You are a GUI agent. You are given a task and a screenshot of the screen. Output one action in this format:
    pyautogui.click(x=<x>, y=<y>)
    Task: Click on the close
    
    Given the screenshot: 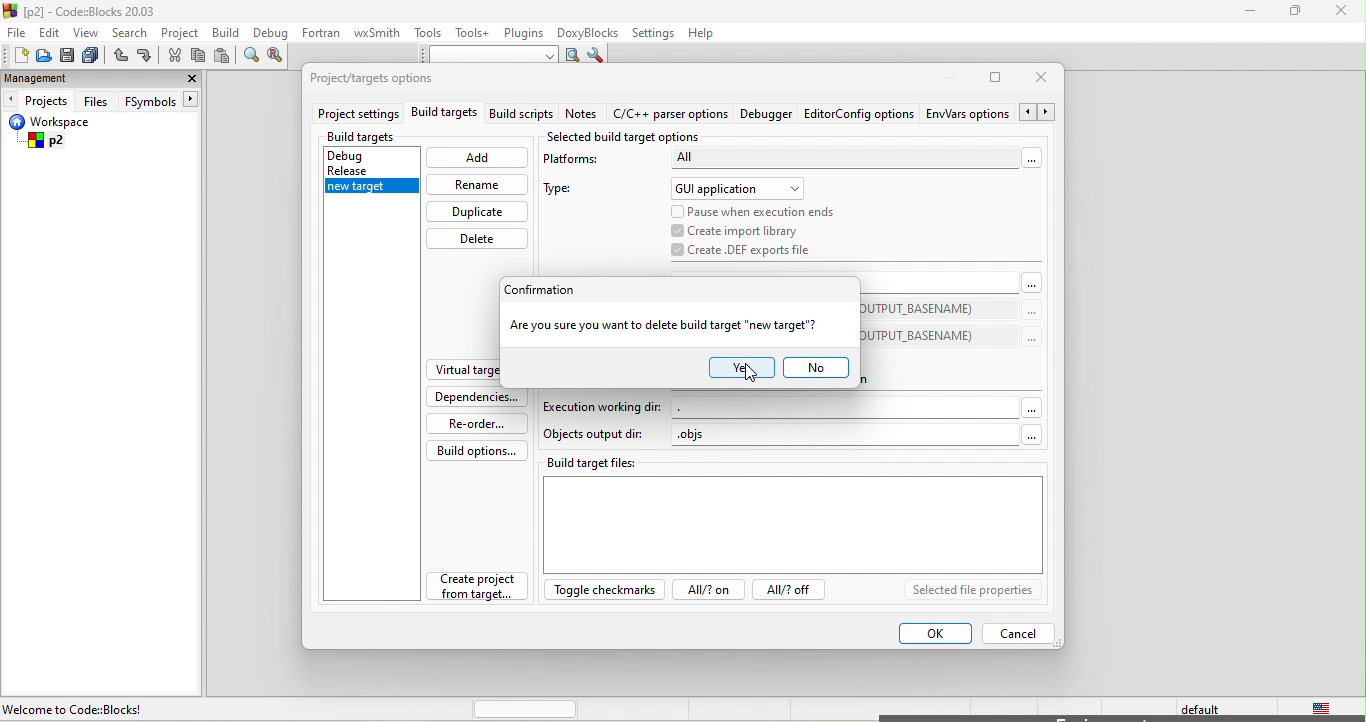 What is the action you would take?
    pyautogui.click(x=1044, y=80)
    